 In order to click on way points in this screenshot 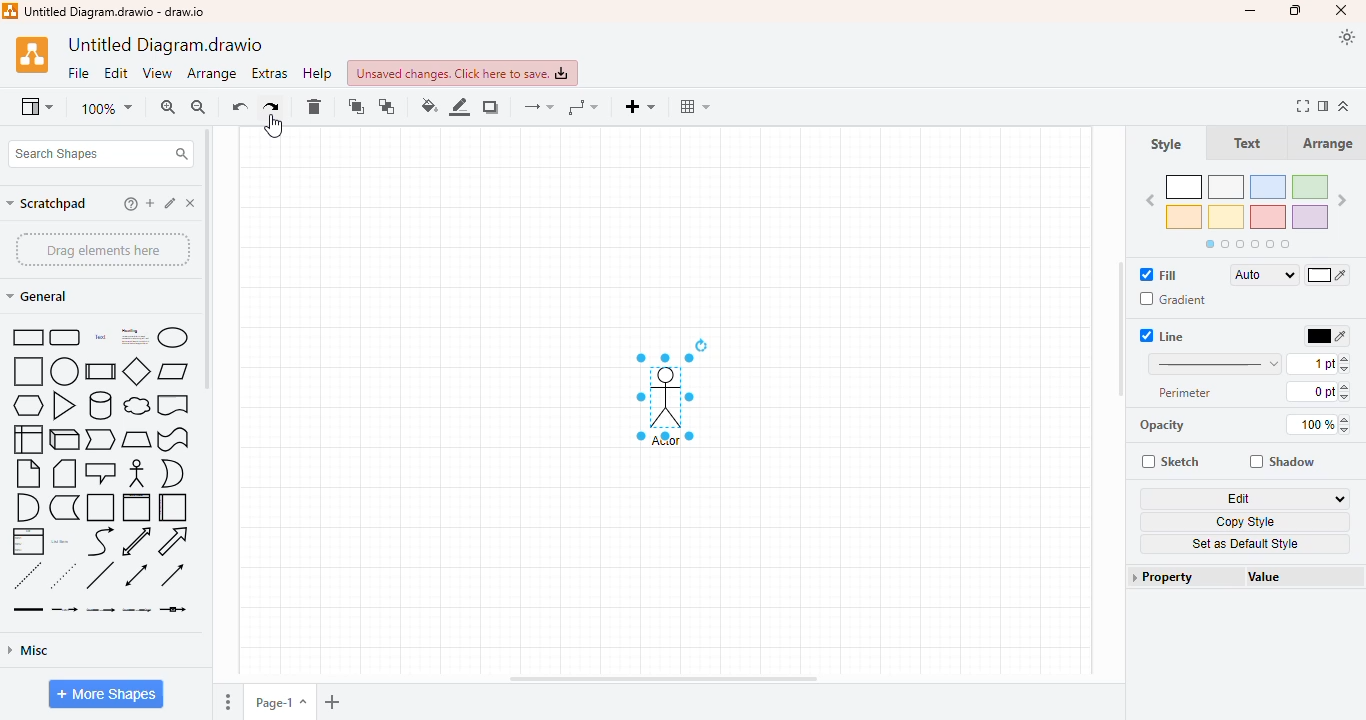, I will do `click(582, 107)`.